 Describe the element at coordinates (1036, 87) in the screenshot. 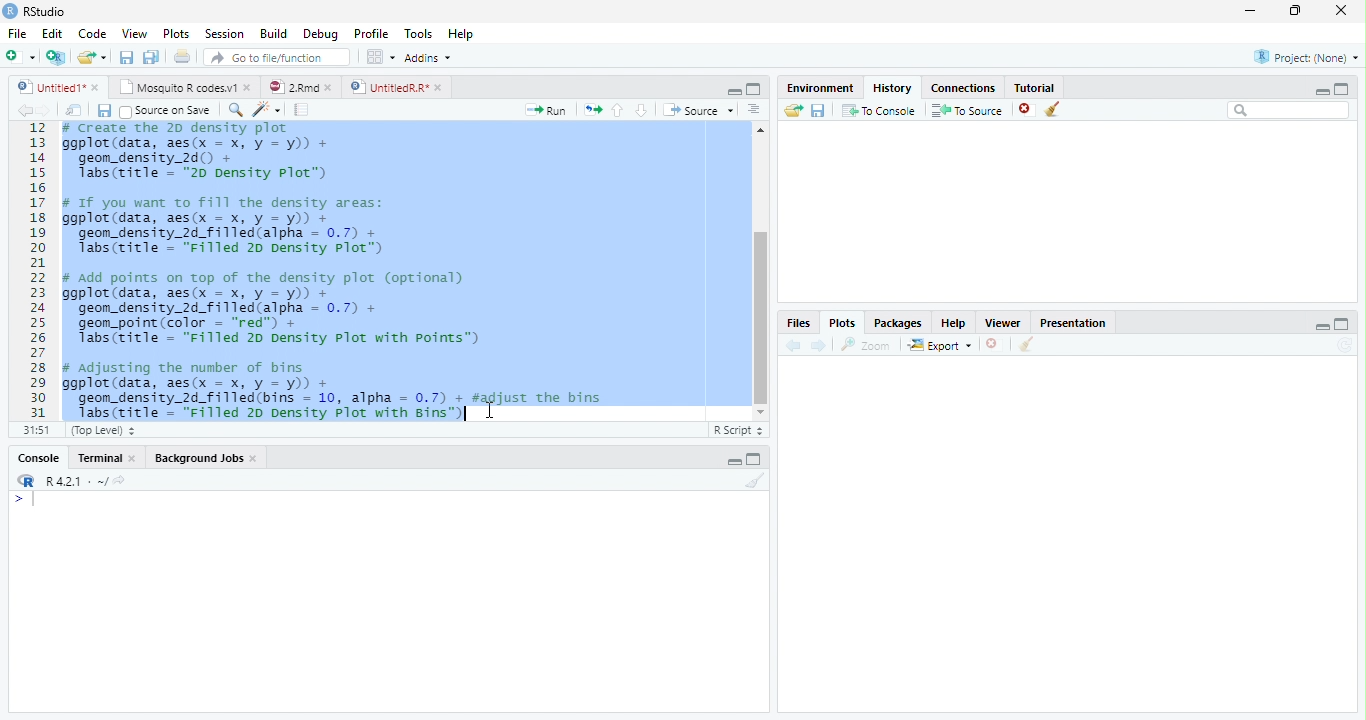

I see `Tutorial` at that location.